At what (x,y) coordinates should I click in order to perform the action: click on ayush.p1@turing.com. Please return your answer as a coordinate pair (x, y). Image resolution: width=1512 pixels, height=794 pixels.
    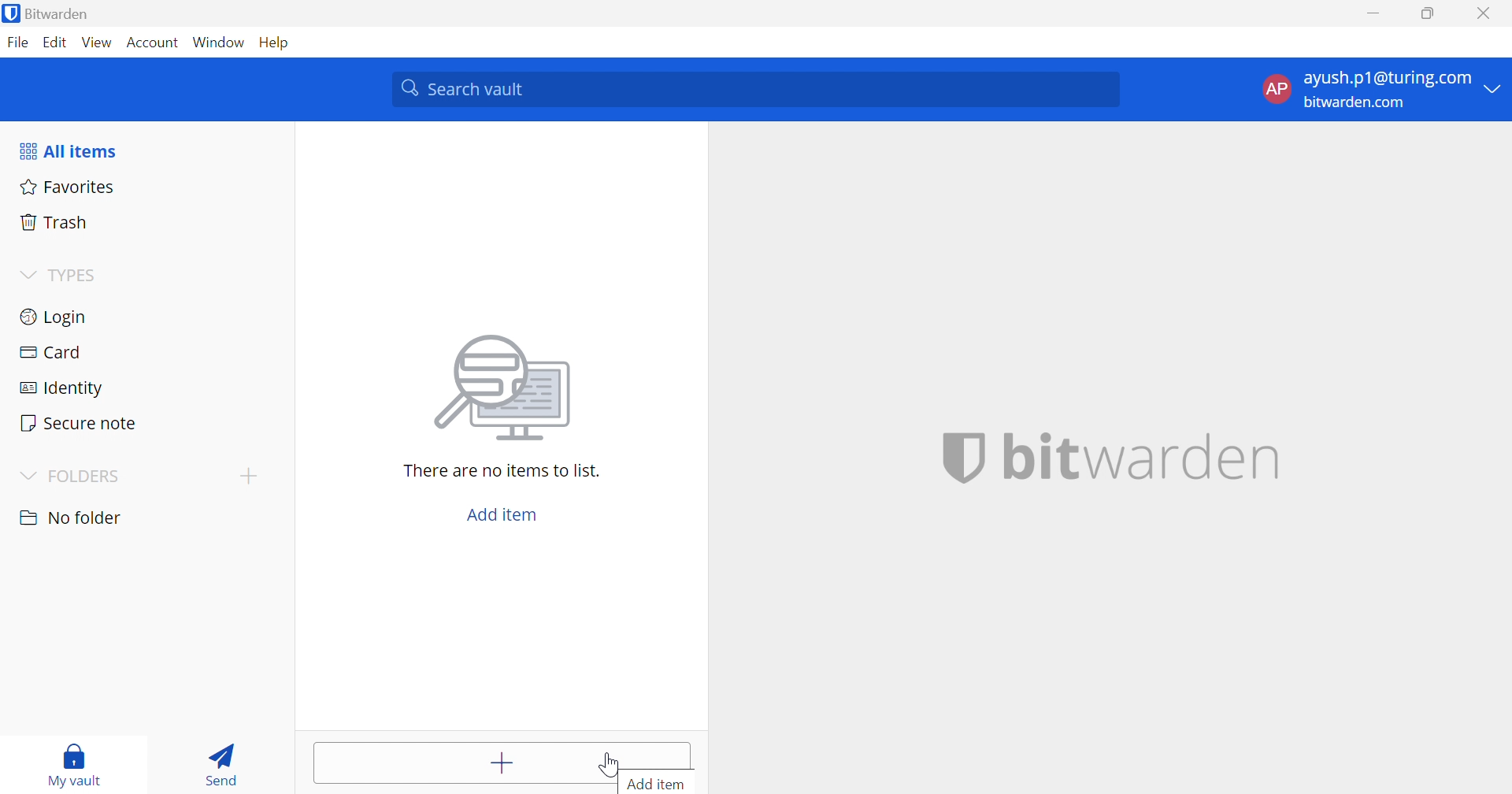
    Looking at the image, I should click on (1390, 80).